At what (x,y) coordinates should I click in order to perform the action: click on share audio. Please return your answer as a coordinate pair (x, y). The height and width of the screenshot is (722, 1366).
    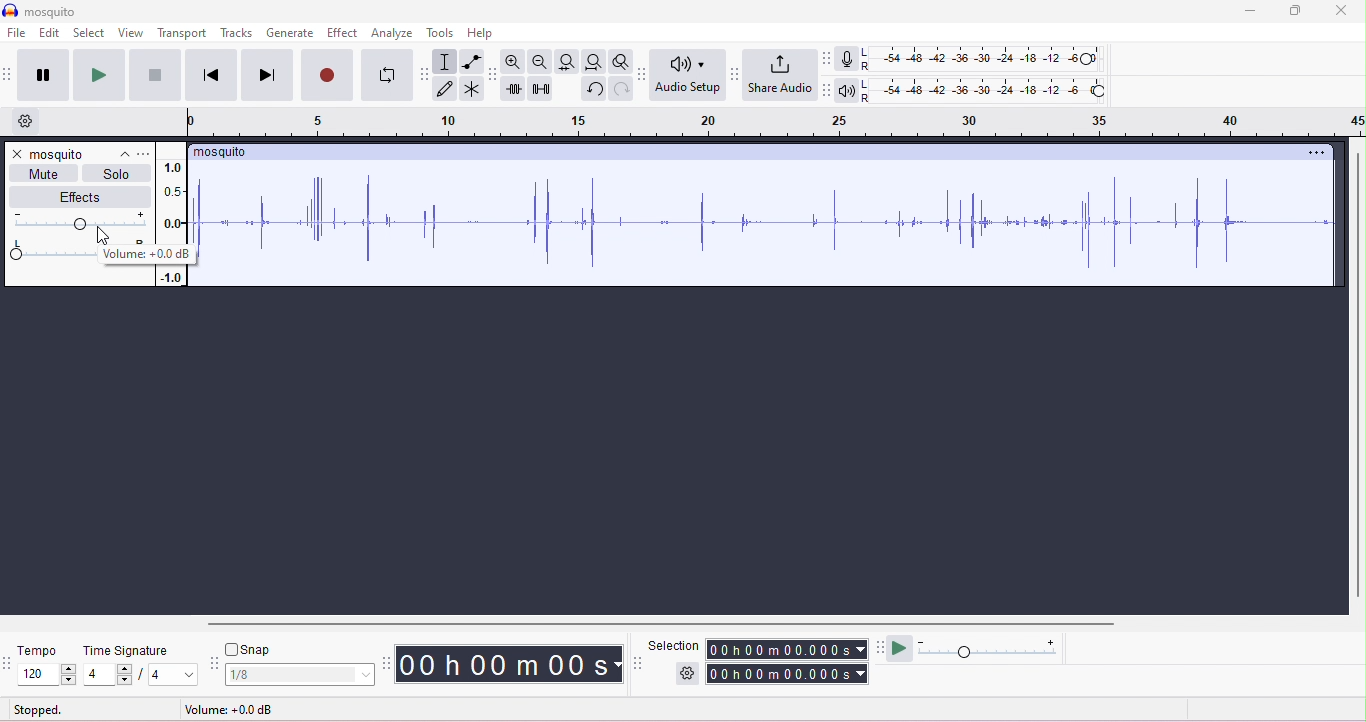
    Looking at the image, I should click on (779, 74).